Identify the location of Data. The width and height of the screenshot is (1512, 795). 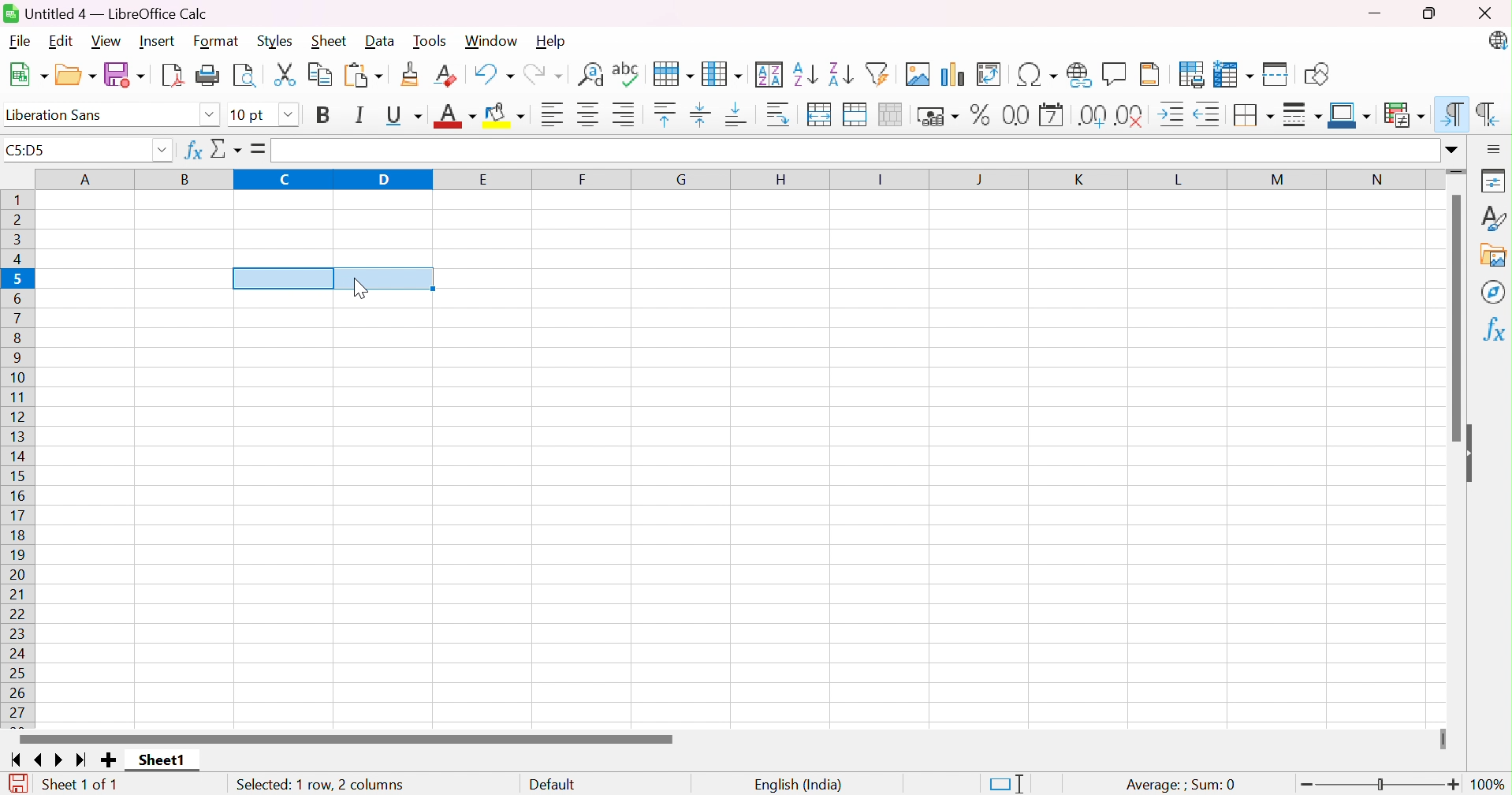
(382, 40).